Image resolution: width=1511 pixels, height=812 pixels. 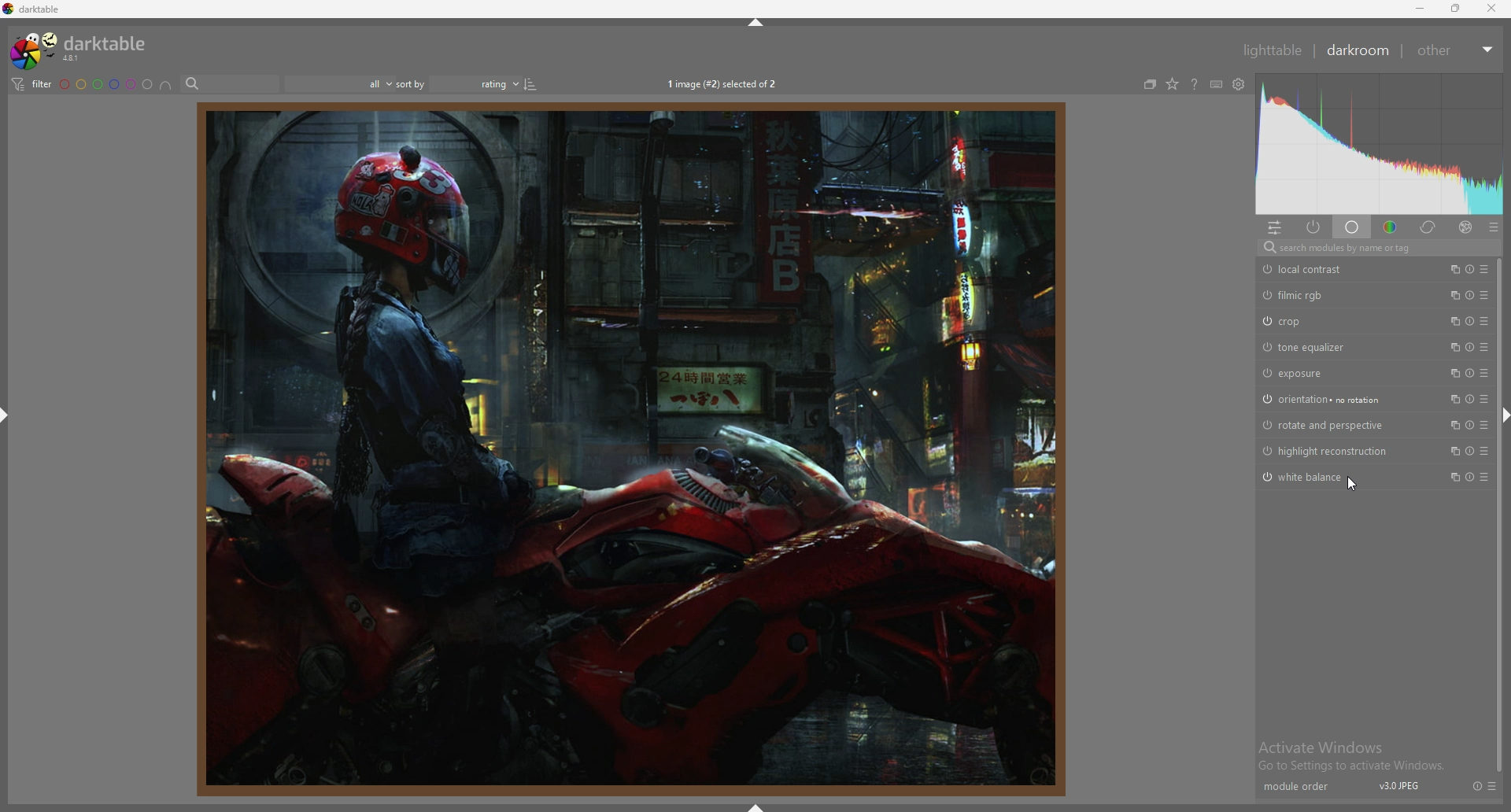 I want to click on multiple instances action, so click(x=1453, y=451).